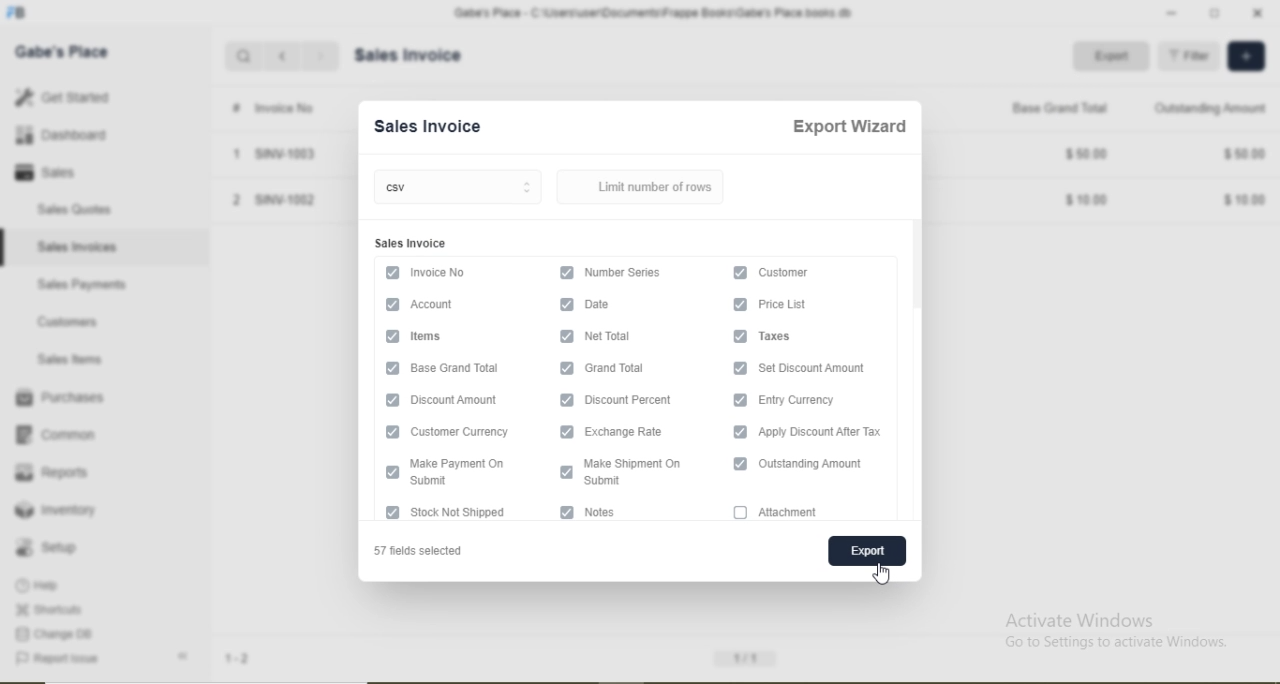 The width and height of the screenshot is (1280, 684). What do you see at coordinates (467, 434) in the screenshot?
I see `Customer Currency` at bounding box center [467, 434].